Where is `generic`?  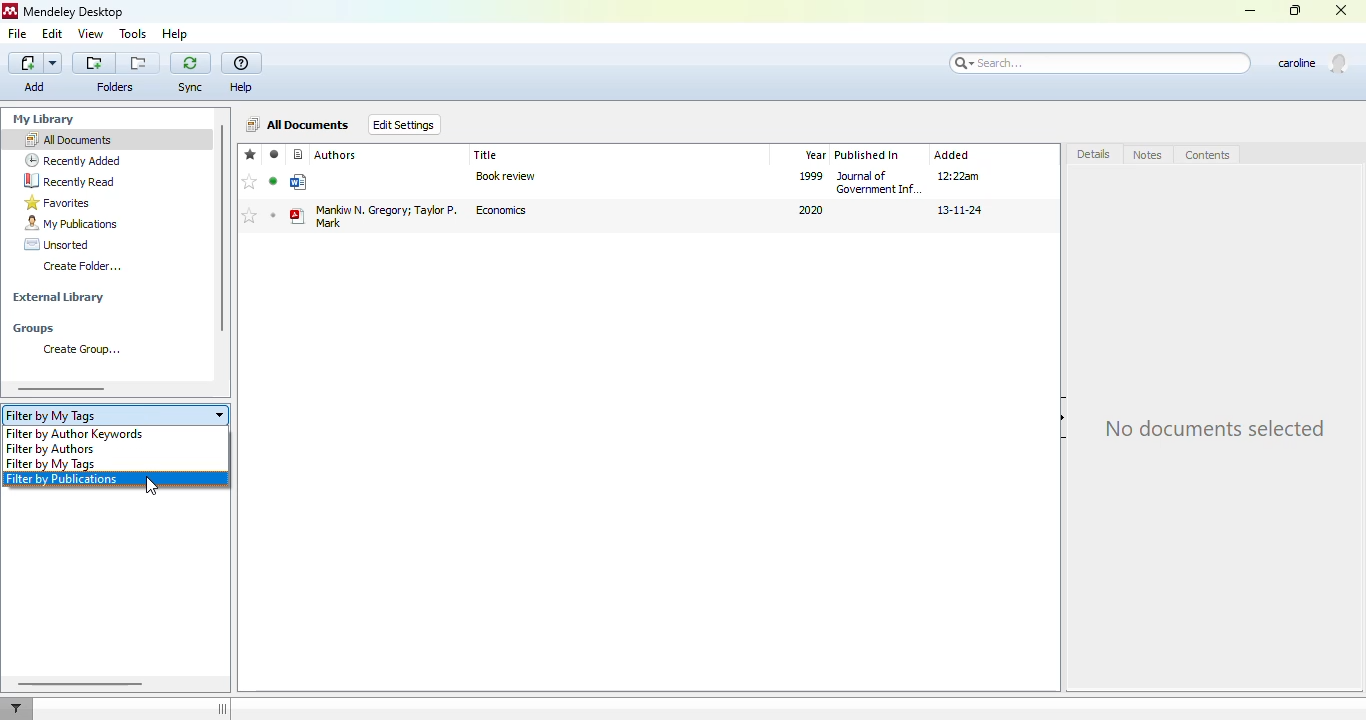
generic is located at coordinates (300, 183).